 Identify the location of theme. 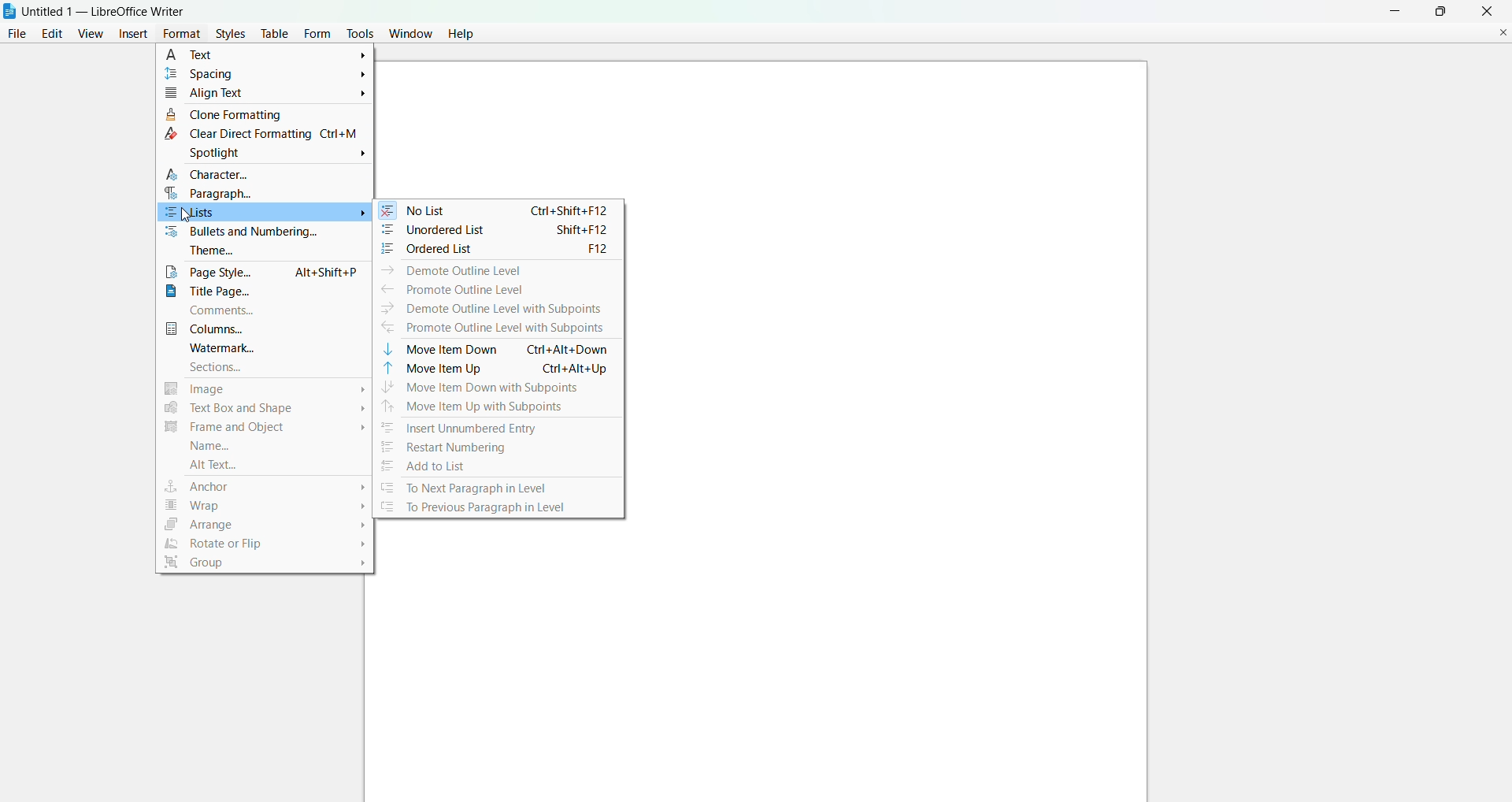
(204, 252).